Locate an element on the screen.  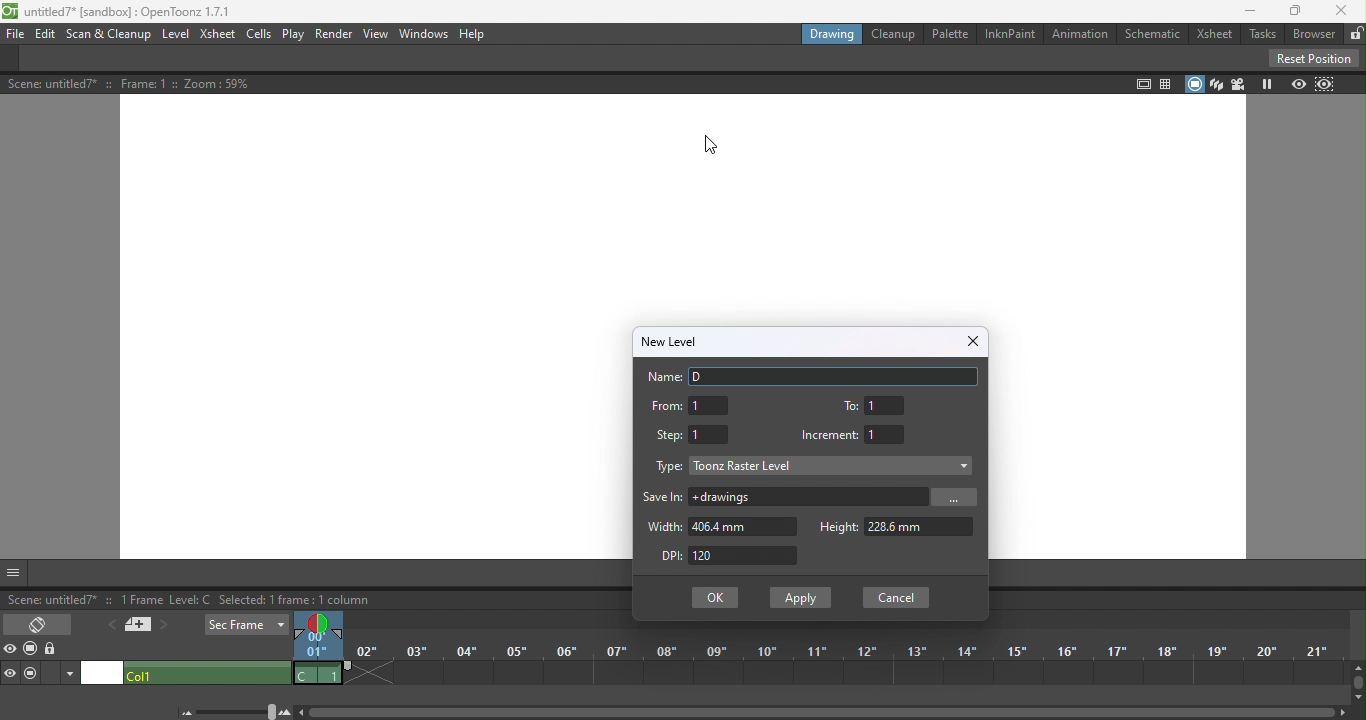
Zoom in is located at coordinates (286, 712).